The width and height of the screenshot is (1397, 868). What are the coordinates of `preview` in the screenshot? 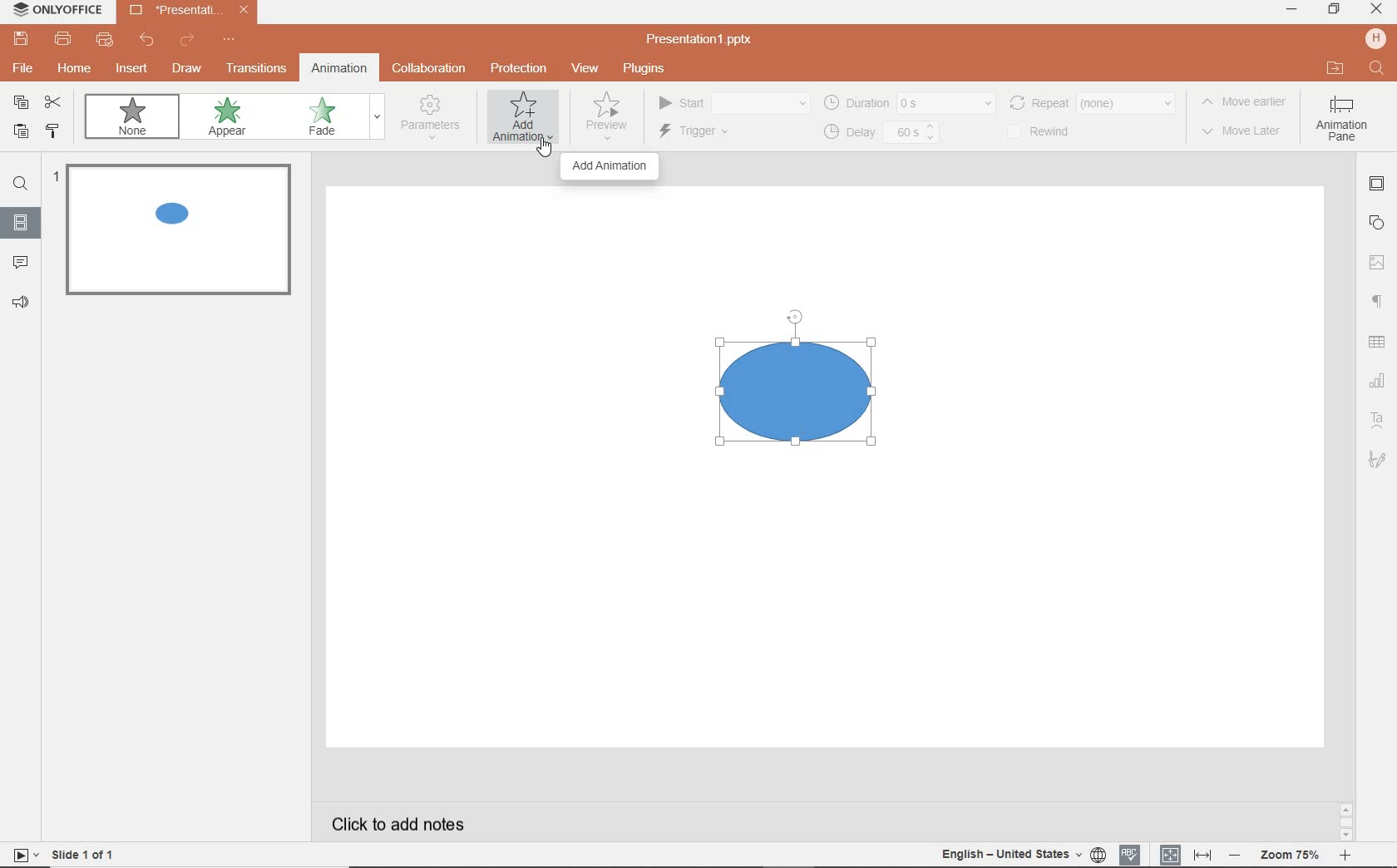 It's located at (605, 121).